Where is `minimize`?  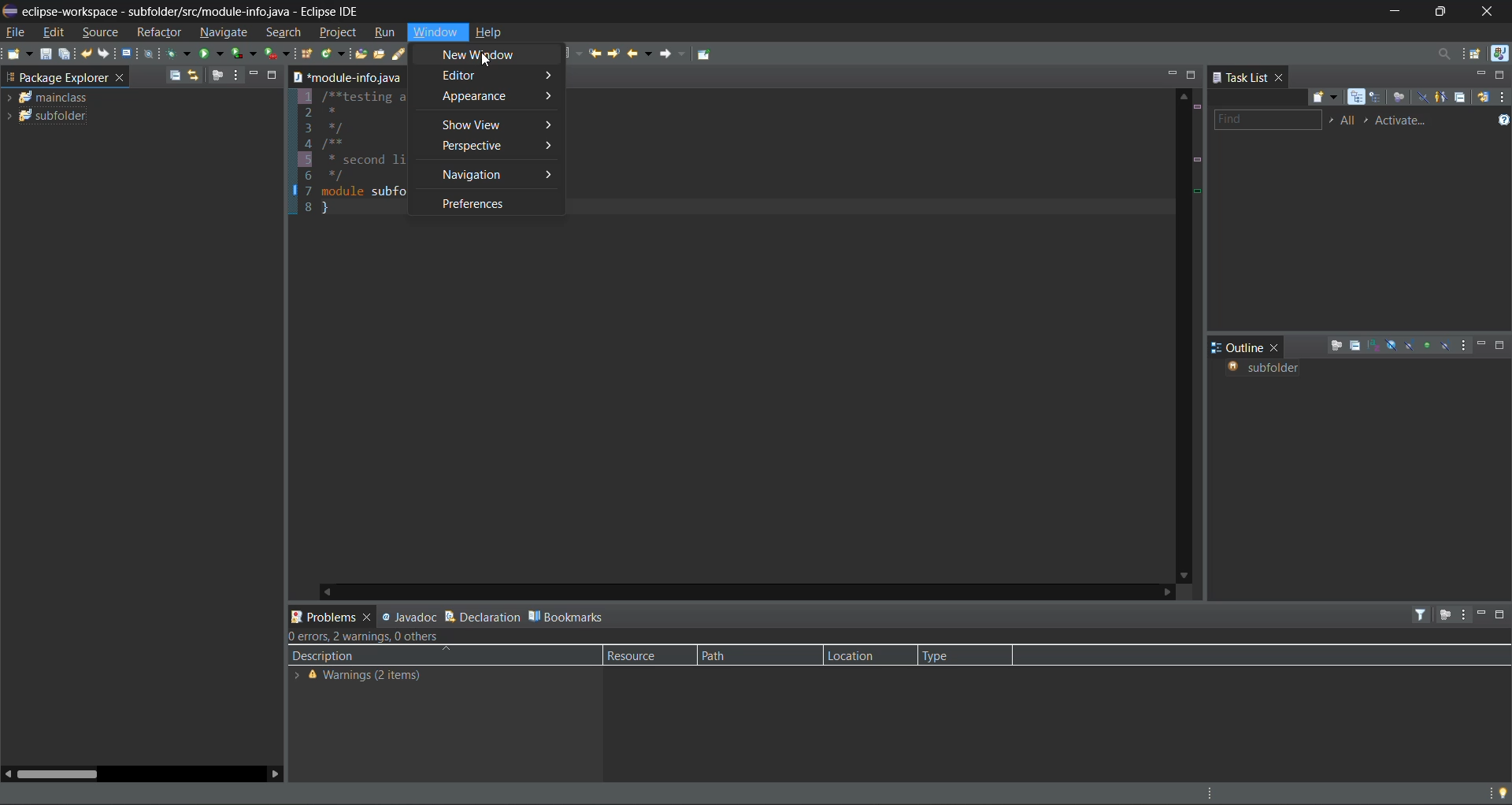 minimize is located at coordinates (1484, 76).